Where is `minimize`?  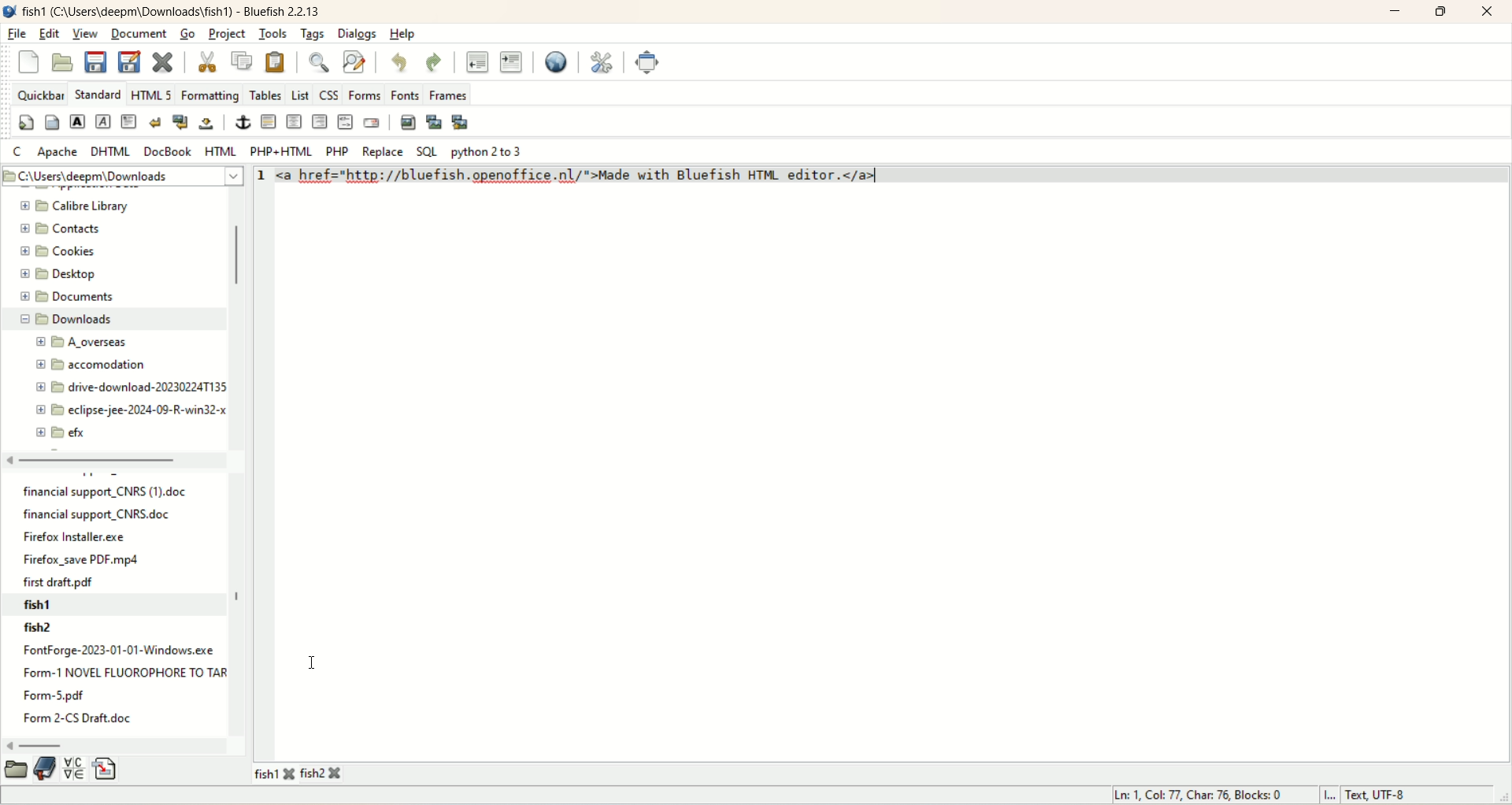
minimize is located at coordinates (1393, 13).